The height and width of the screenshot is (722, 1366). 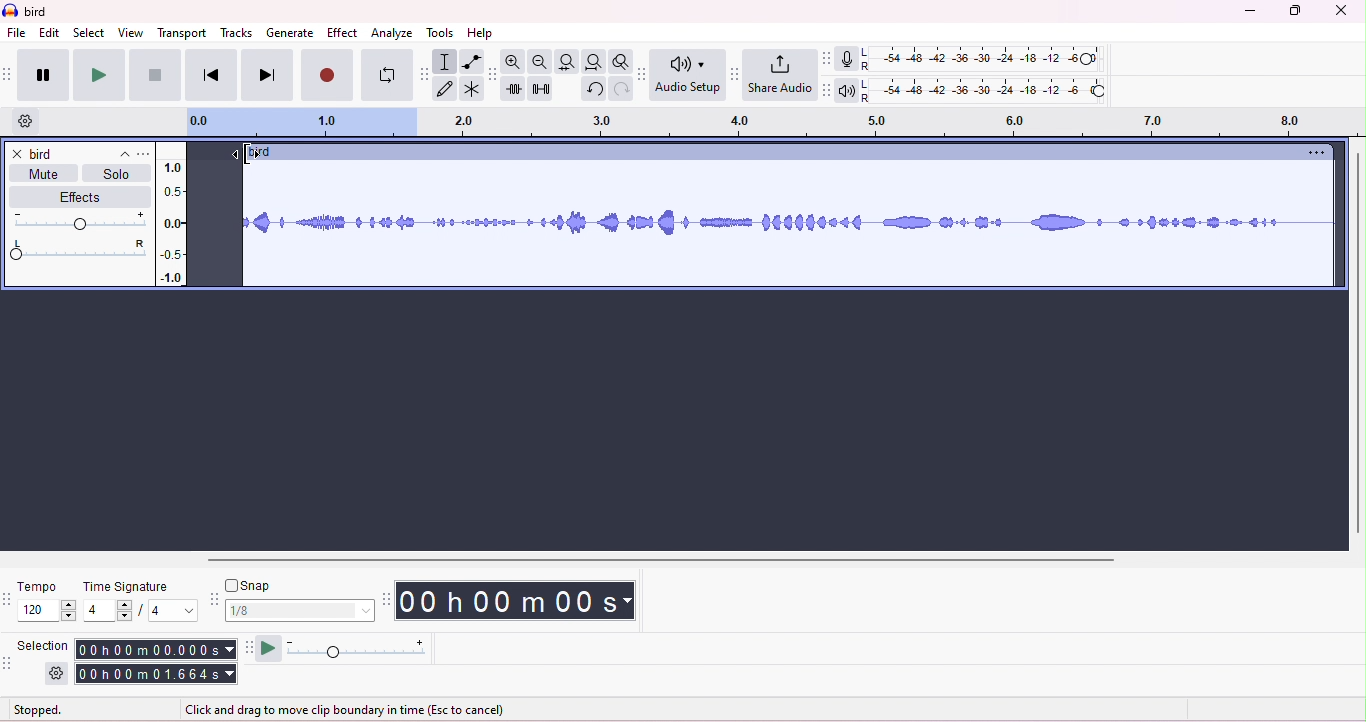 I want to click on effect, so click(x=342, y=32).